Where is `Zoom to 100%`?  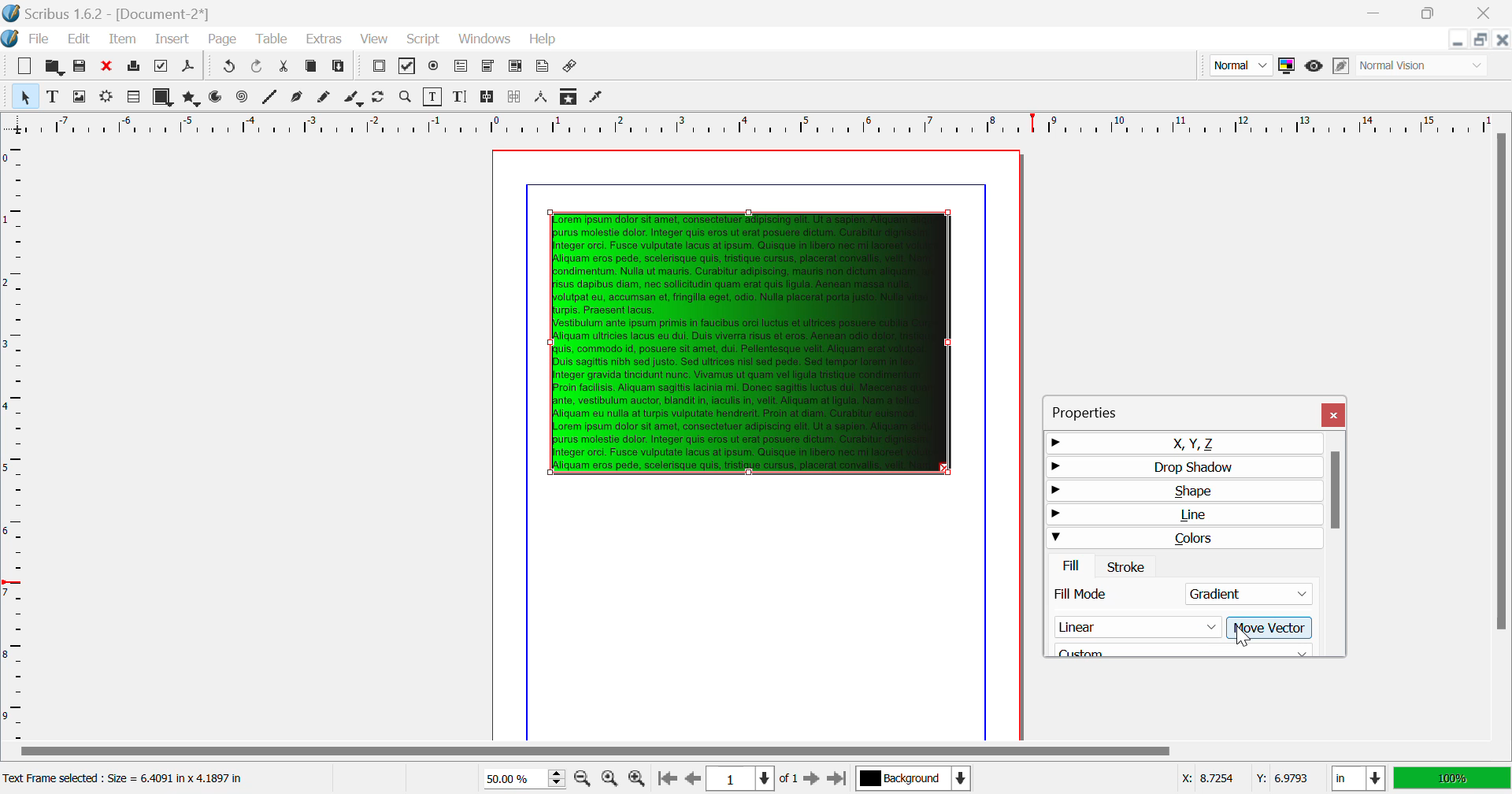 Zoom to 100% is located at coordinates (610, 778).